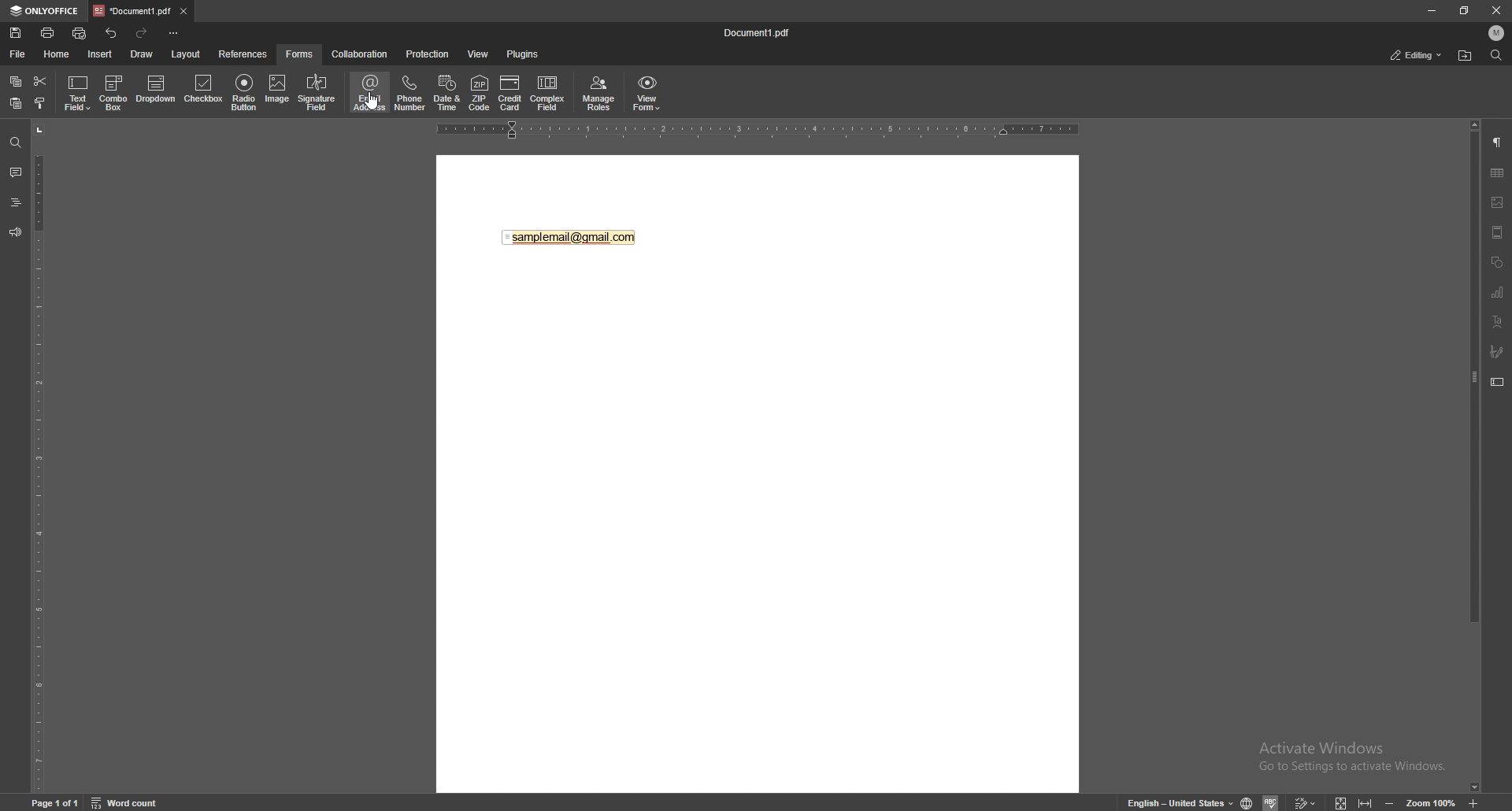 The width and height of the screenshot is (1512, 811). I want to click on change doc language, so click(1249, 802).